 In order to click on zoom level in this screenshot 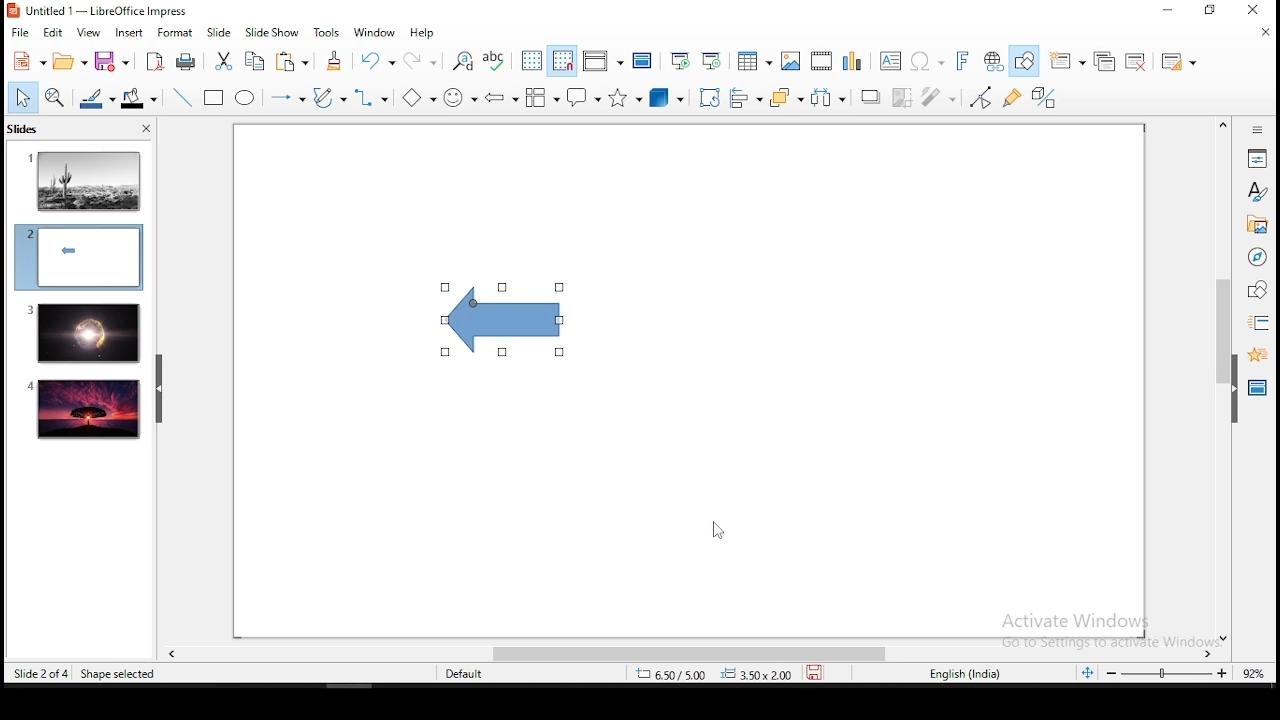, I will do `click(1254, 672)`.